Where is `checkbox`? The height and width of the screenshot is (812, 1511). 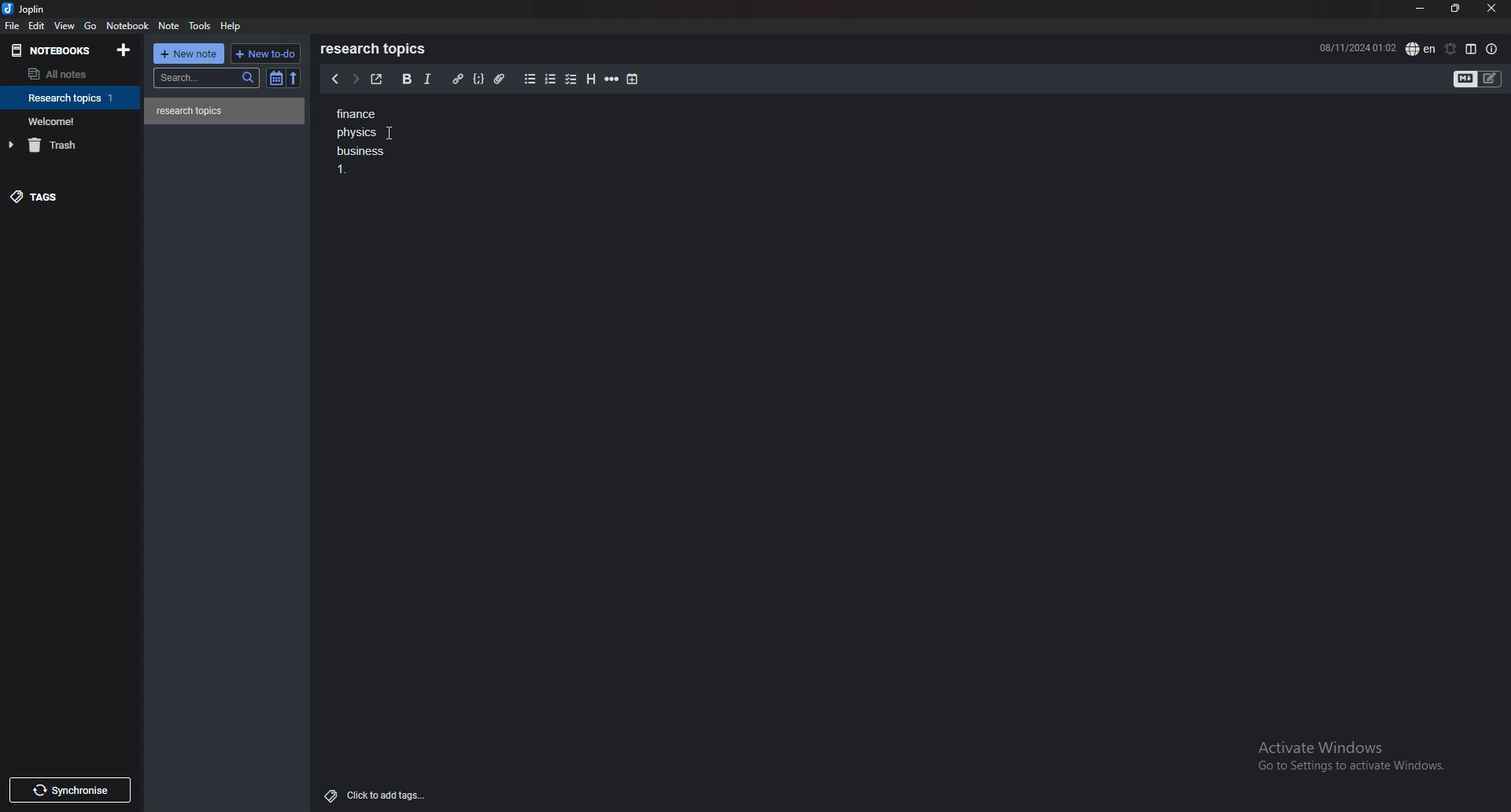
checkbox is located at coordinates (571, 79).